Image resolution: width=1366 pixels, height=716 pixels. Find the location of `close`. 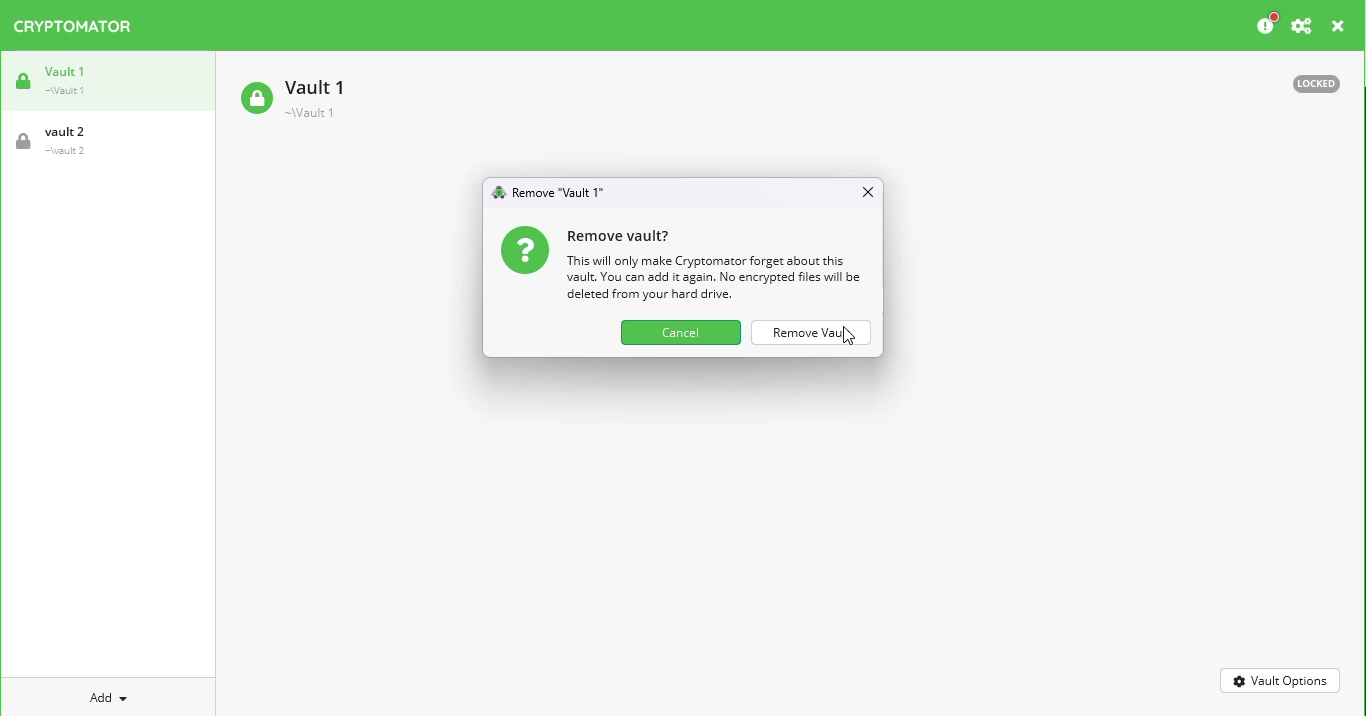

close is located at coordinates (867, 191).